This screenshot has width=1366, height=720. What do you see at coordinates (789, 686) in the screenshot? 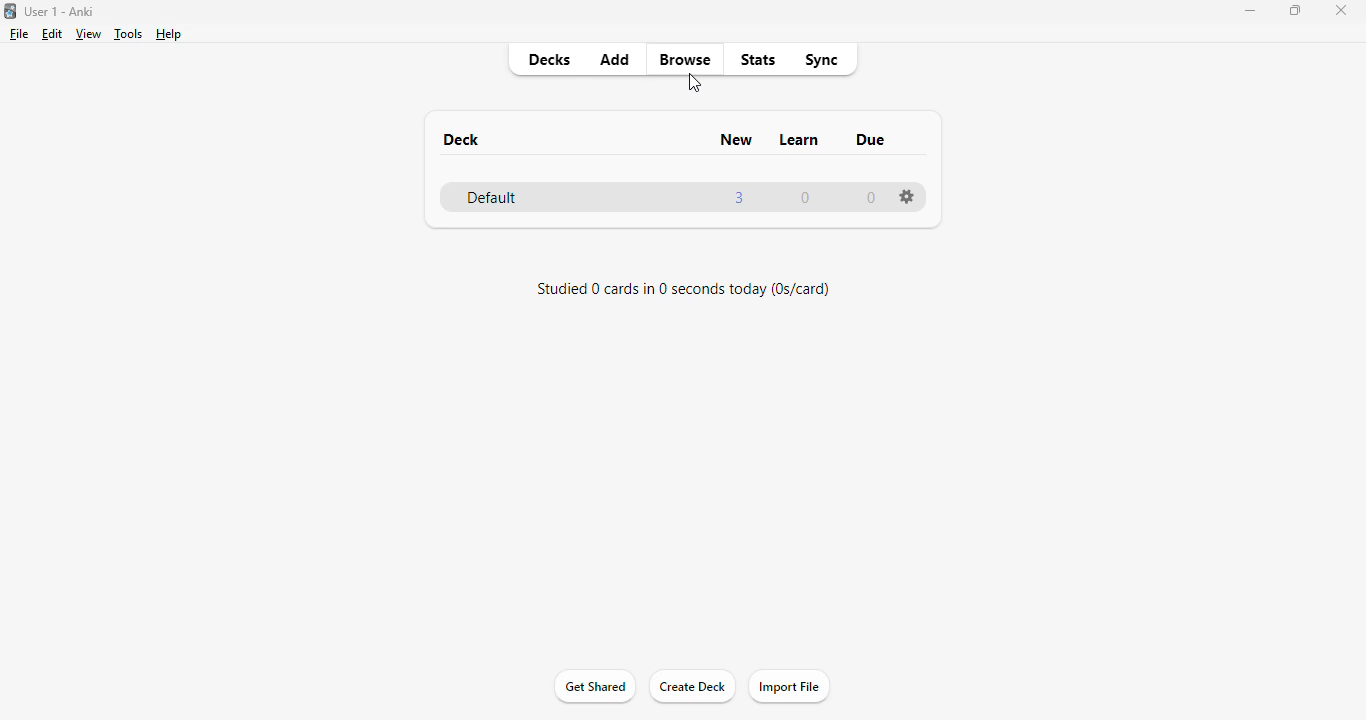
I see `import file` at bounding box center [789, 686].